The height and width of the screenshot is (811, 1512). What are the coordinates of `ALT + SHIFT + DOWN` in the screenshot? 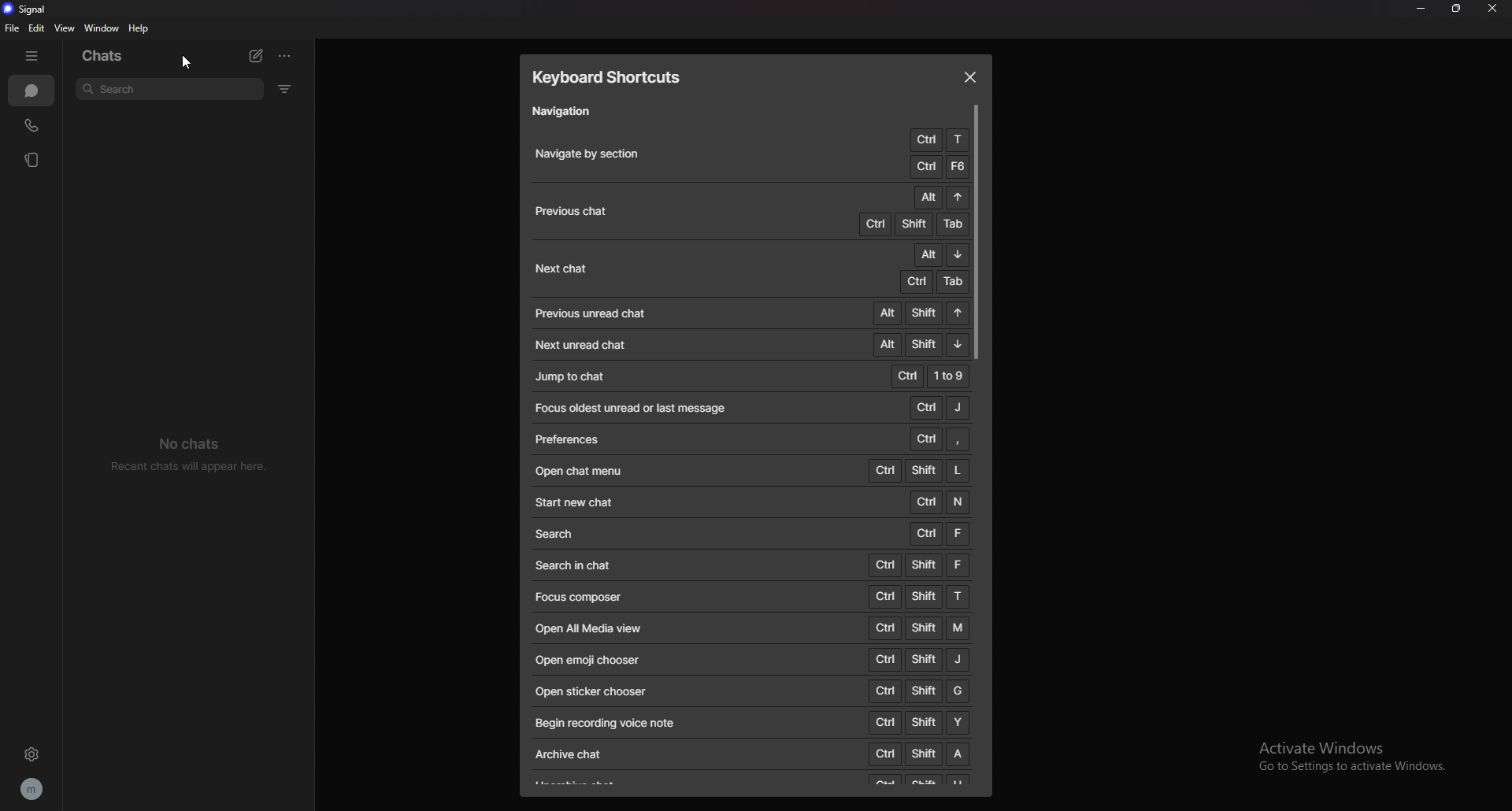 It's located at (919, 343).